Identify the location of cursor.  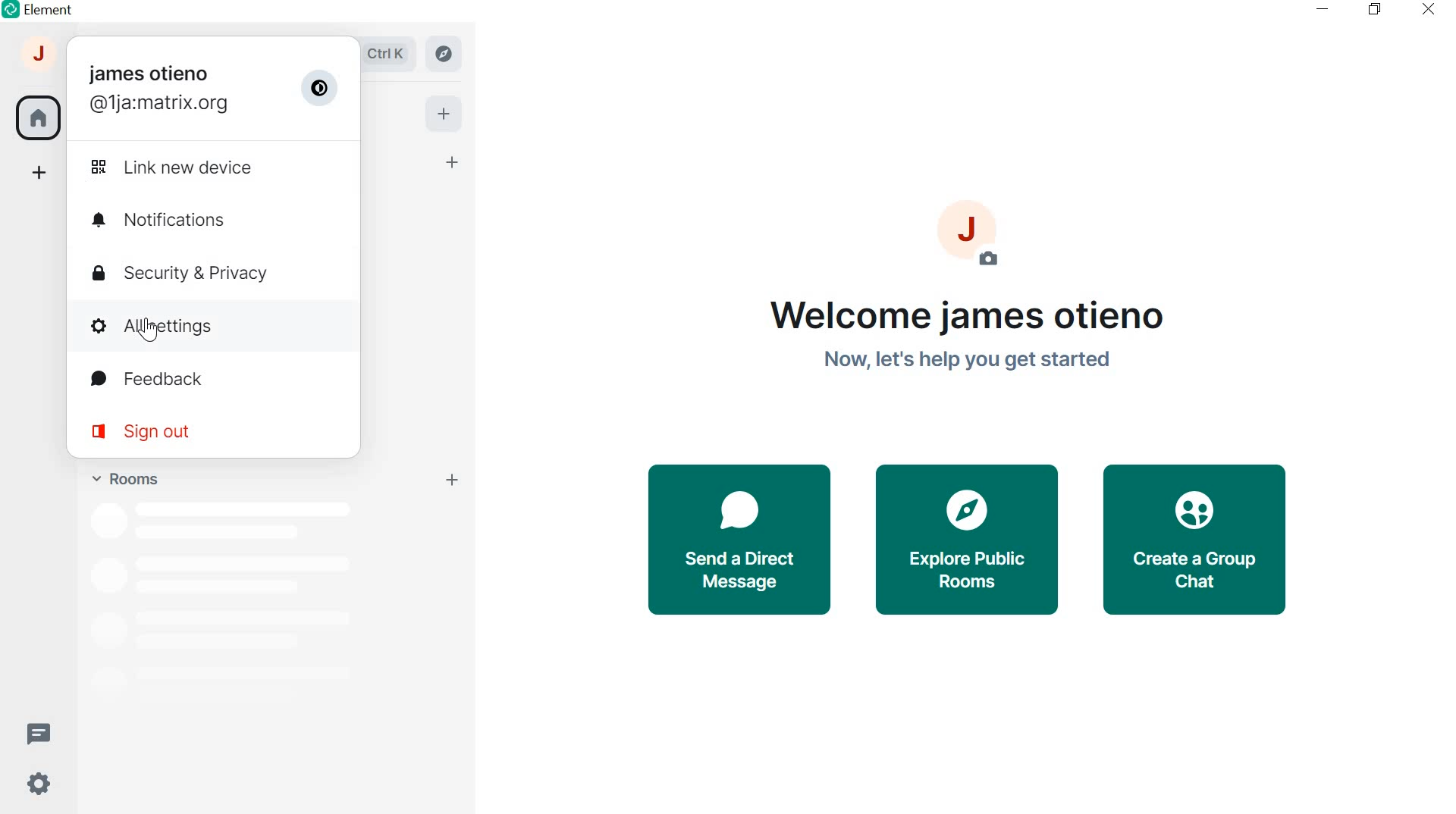
(149, 331).